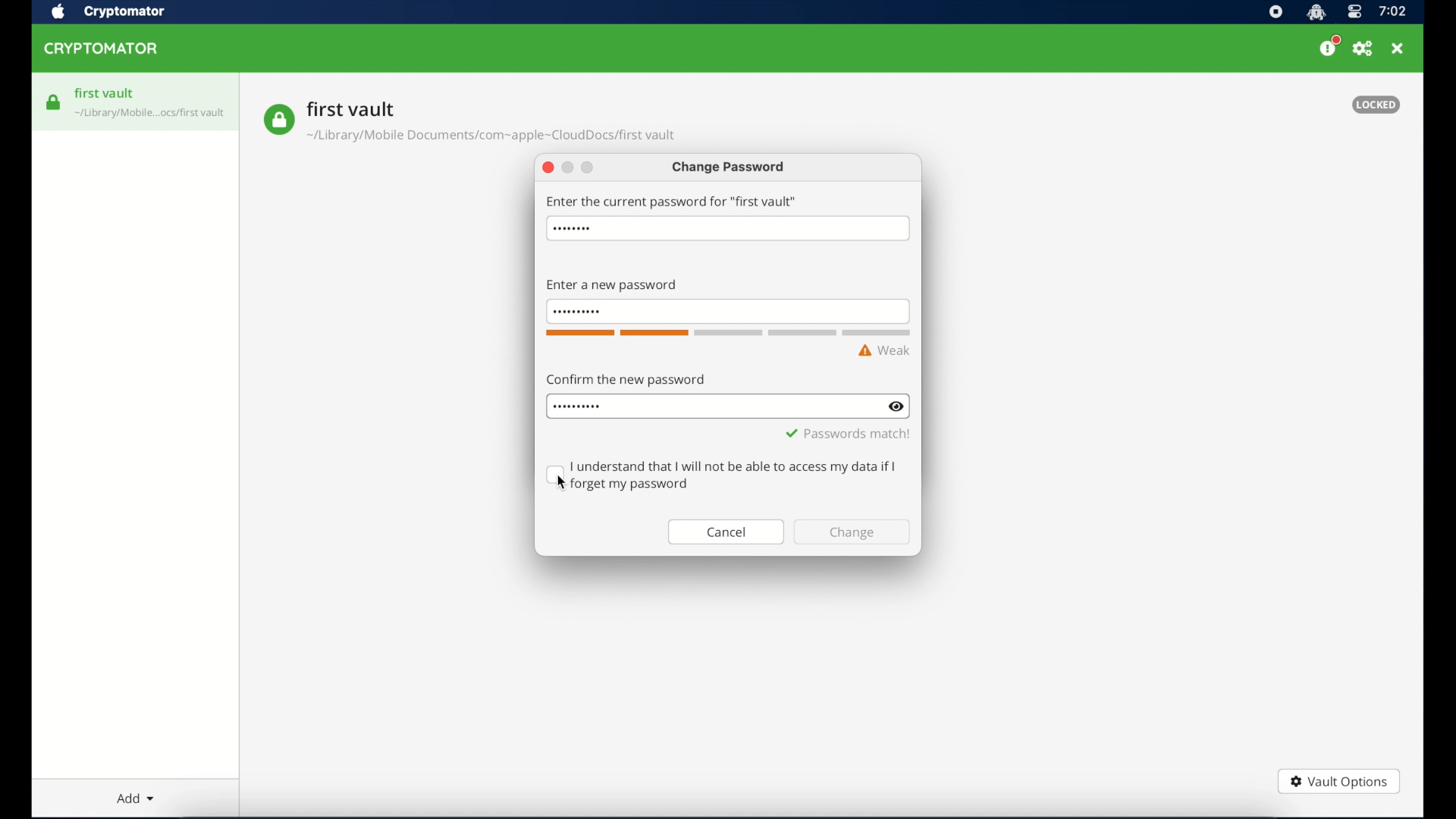 Image resolution: width=1456 pixels, height=819 pixels. I want to click on vault options, so click(1338, 783).